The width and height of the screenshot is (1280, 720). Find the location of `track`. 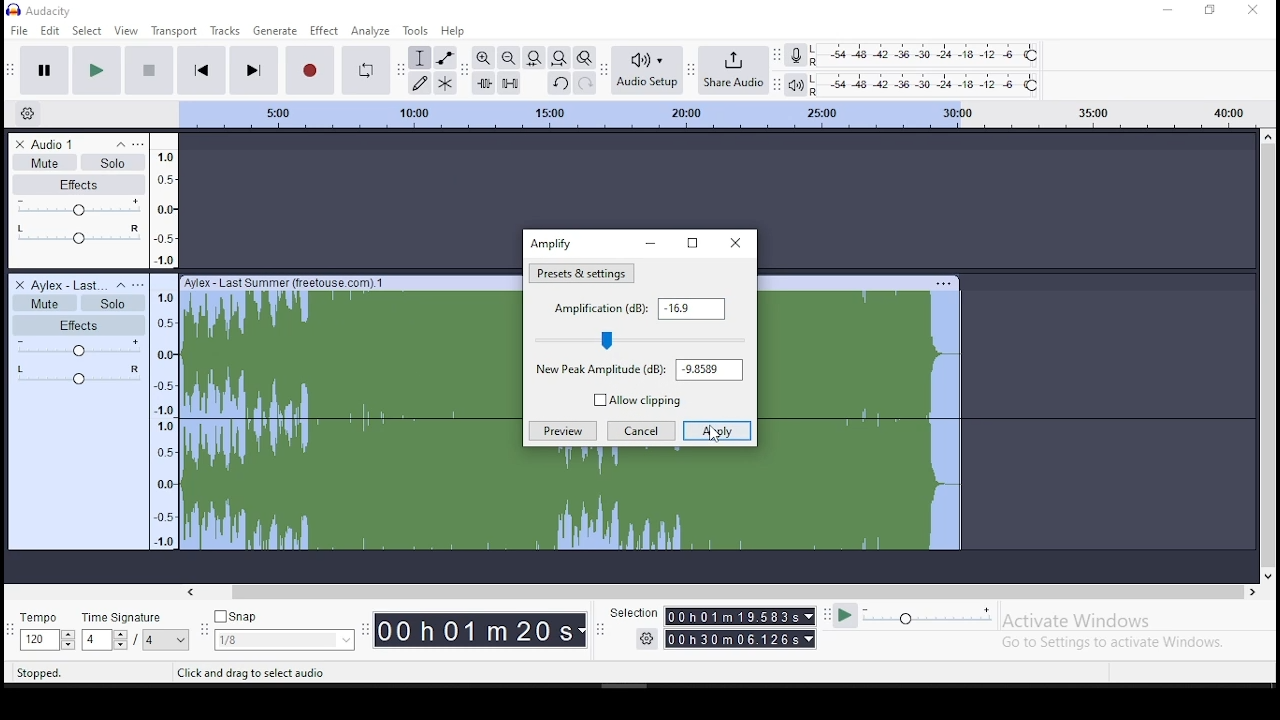

track is located at coordinates (643, 501).